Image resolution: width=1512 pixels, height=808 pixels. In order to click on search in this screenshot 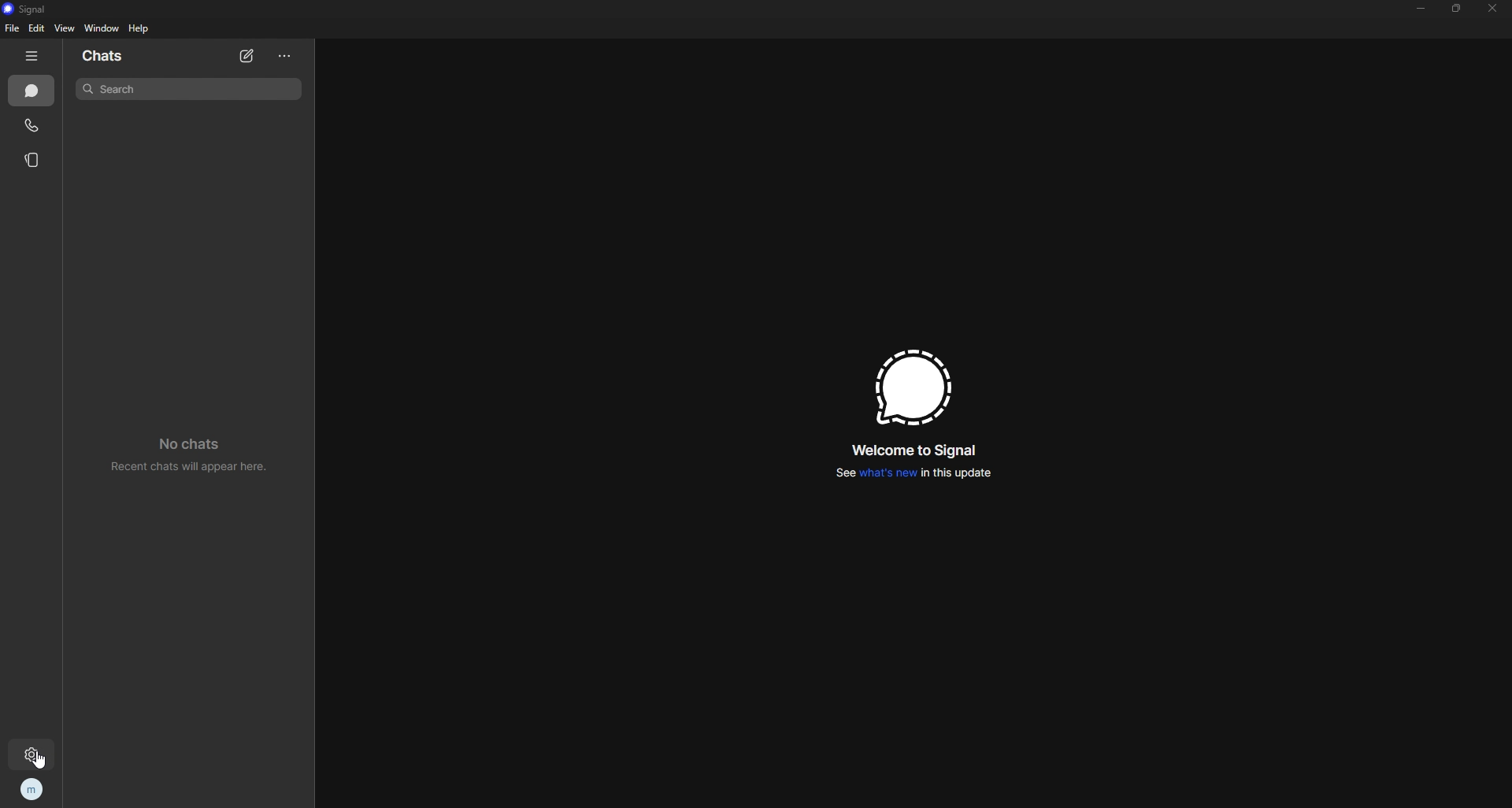, I will do `click(191, 88)`.